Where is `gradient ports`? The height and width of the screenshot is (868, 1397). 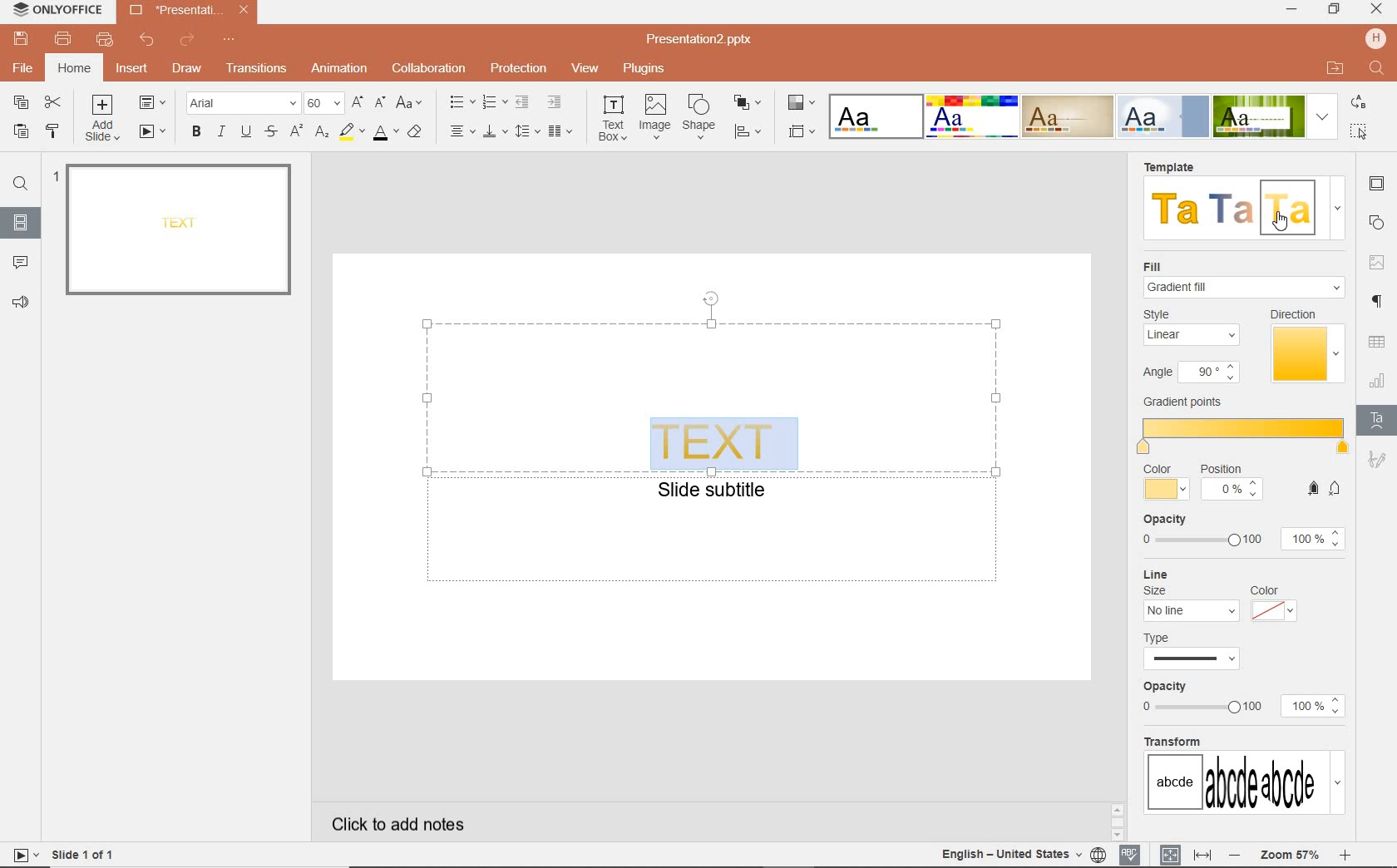 gradient ports is located at coordinates (1243, 426).